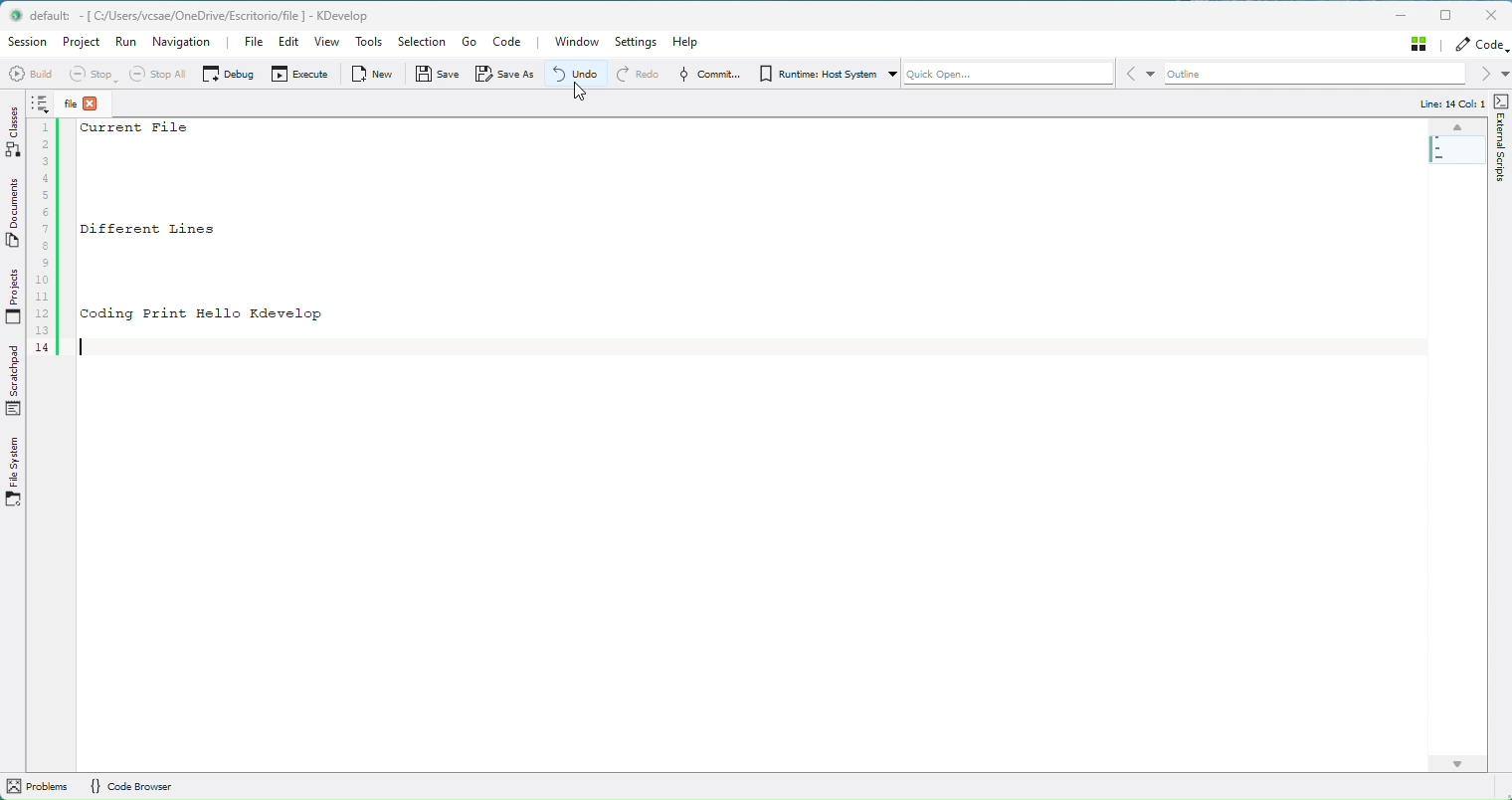  I want to click on View, so click(329, 43).